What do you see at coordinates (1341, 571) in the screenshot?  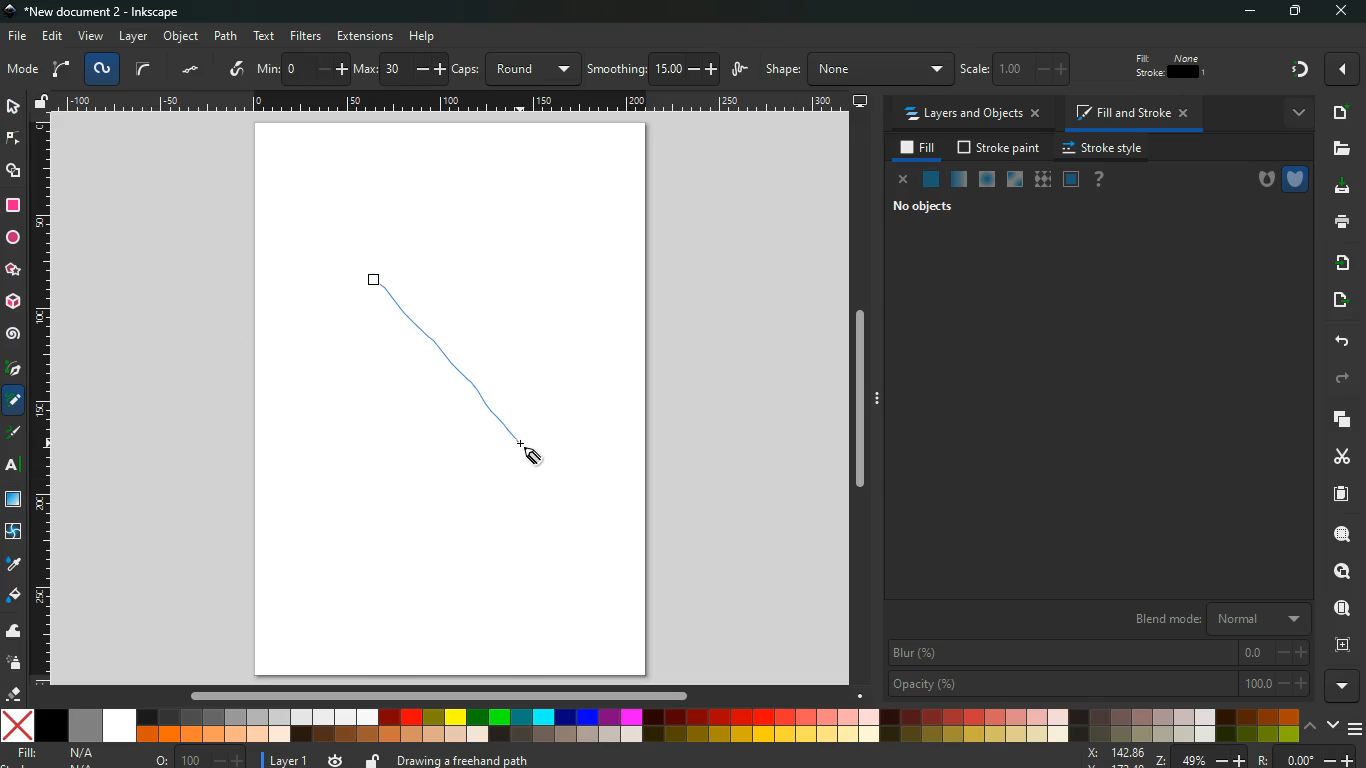 I see `look` at bounding box center [1341, 571].